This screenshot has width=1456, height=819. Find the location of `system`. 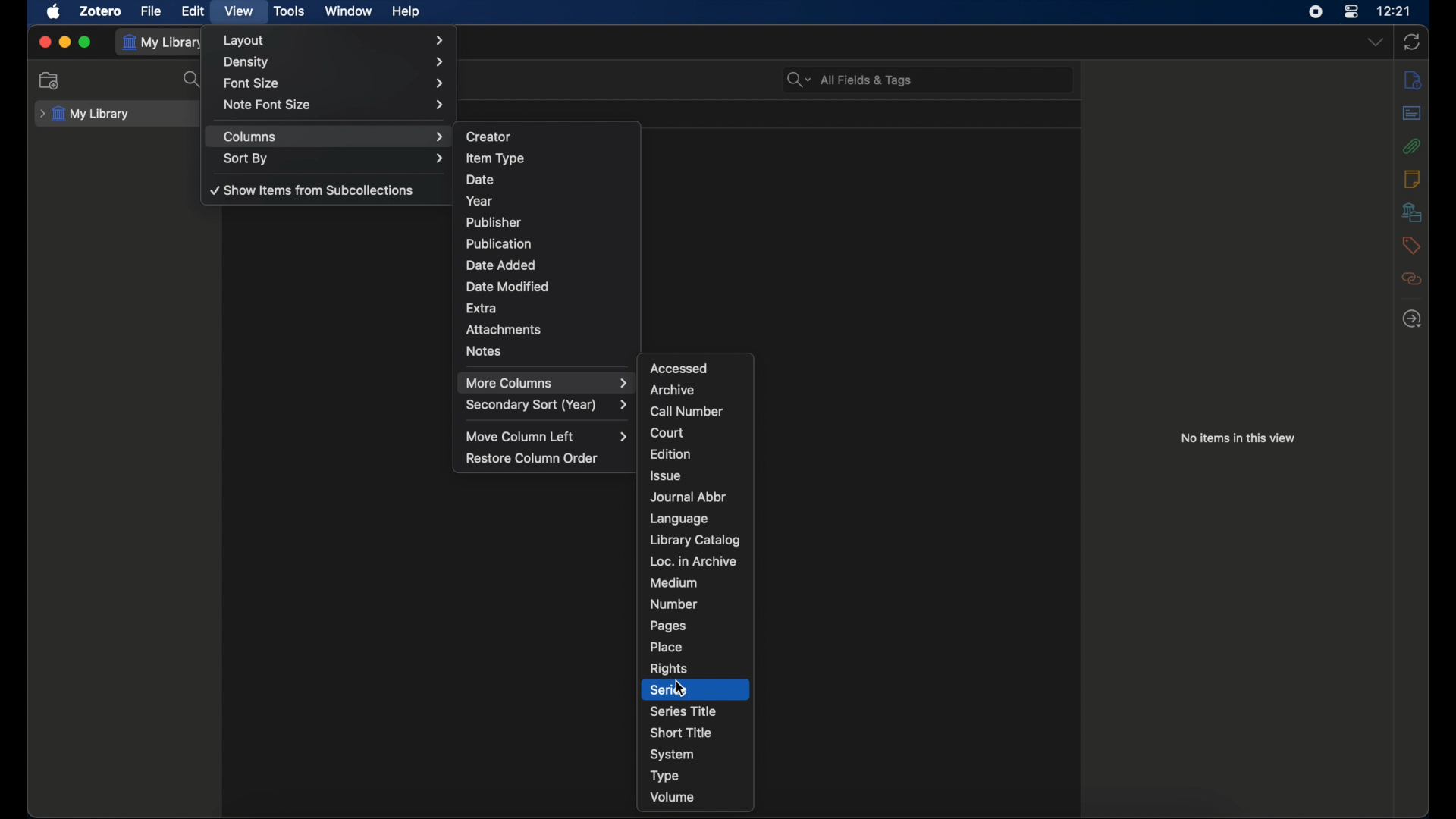

system is located at coordinates (672, 755).